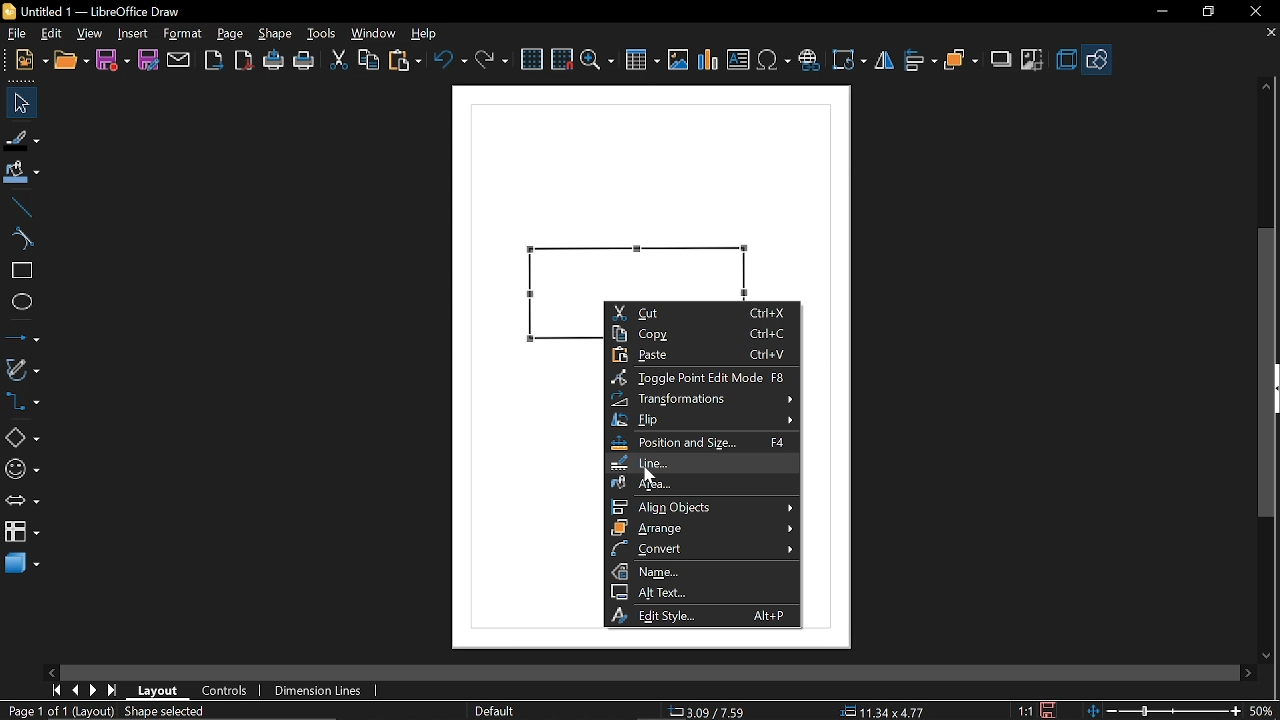  I want to click on Insert table, so click(642, 60).